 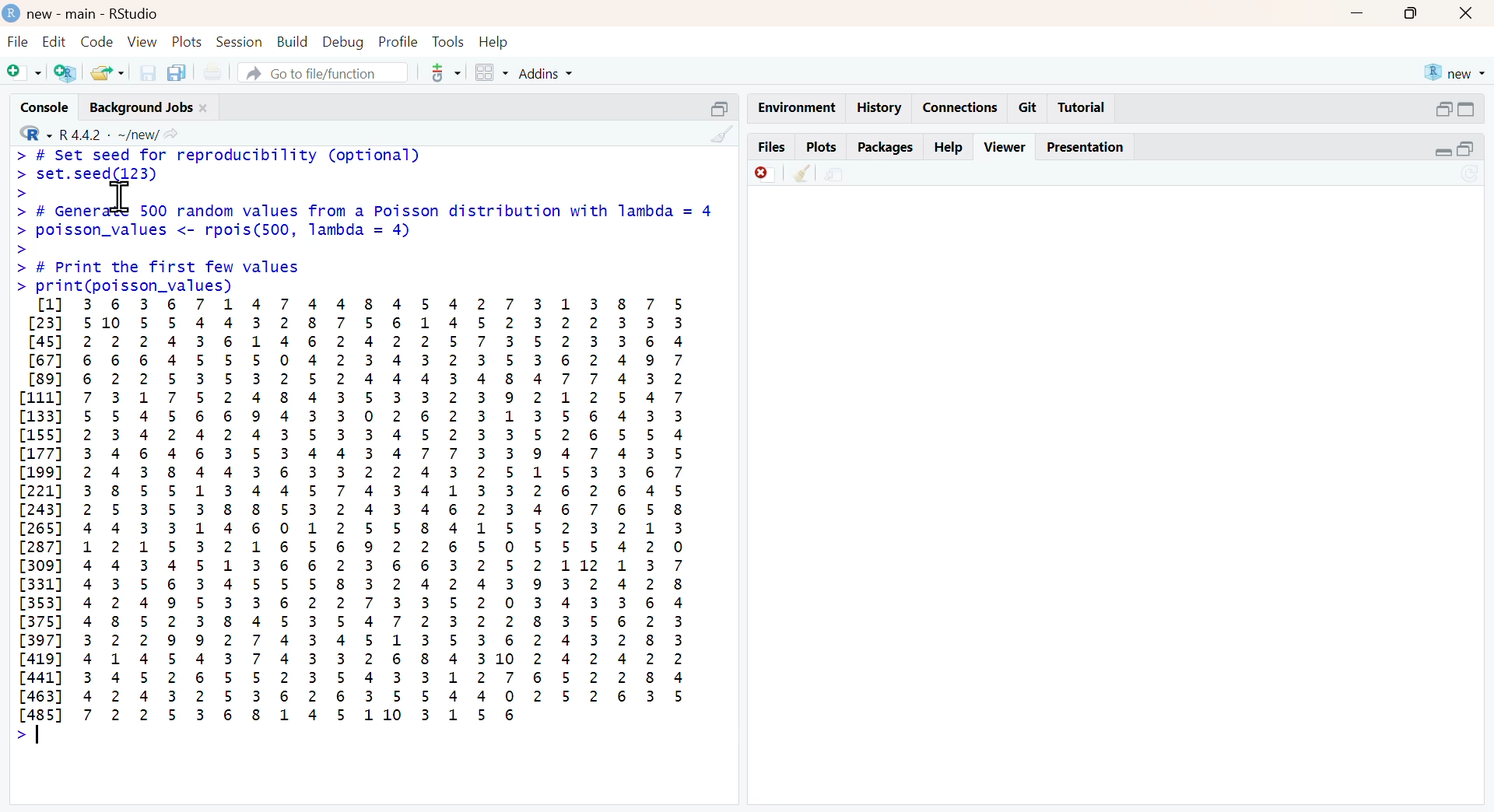 I want to click on cursor, so click(x=121, y=197).